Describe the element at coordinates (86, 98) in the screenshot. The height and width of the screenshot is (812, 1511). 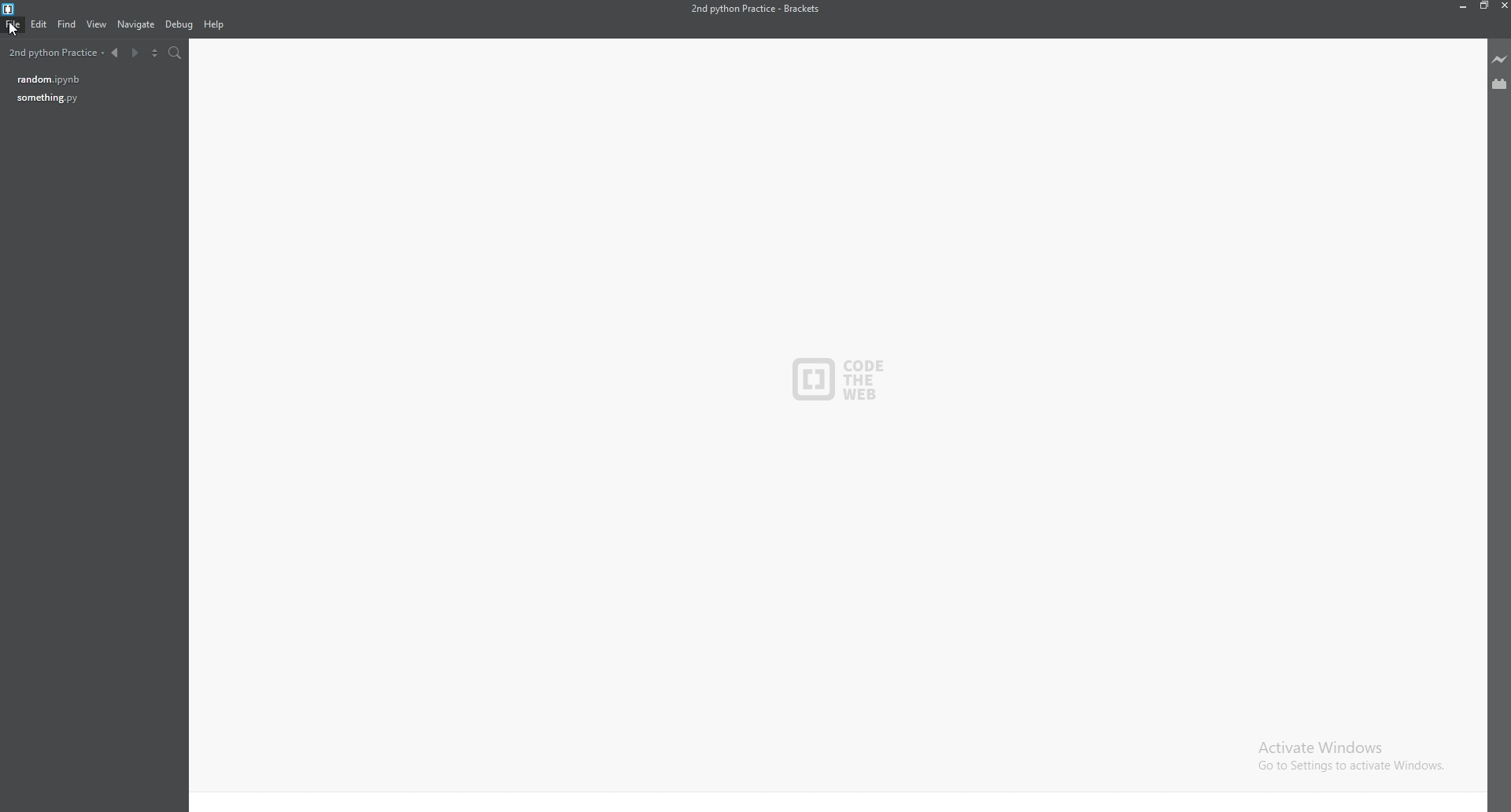
I see `something.py` at that location.